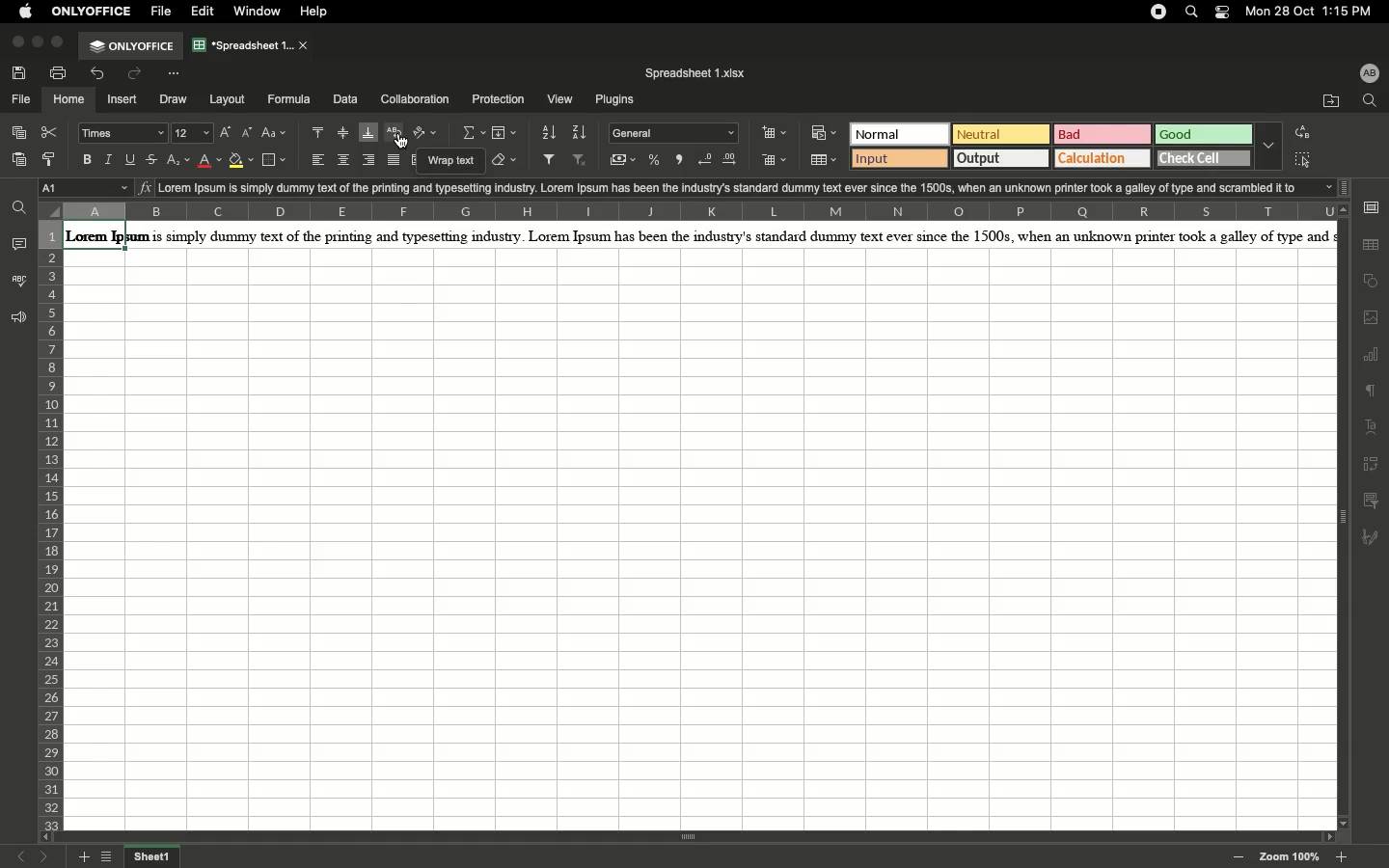 The image size is (1389, 868). I want to click on Align center, so click(345, 160).